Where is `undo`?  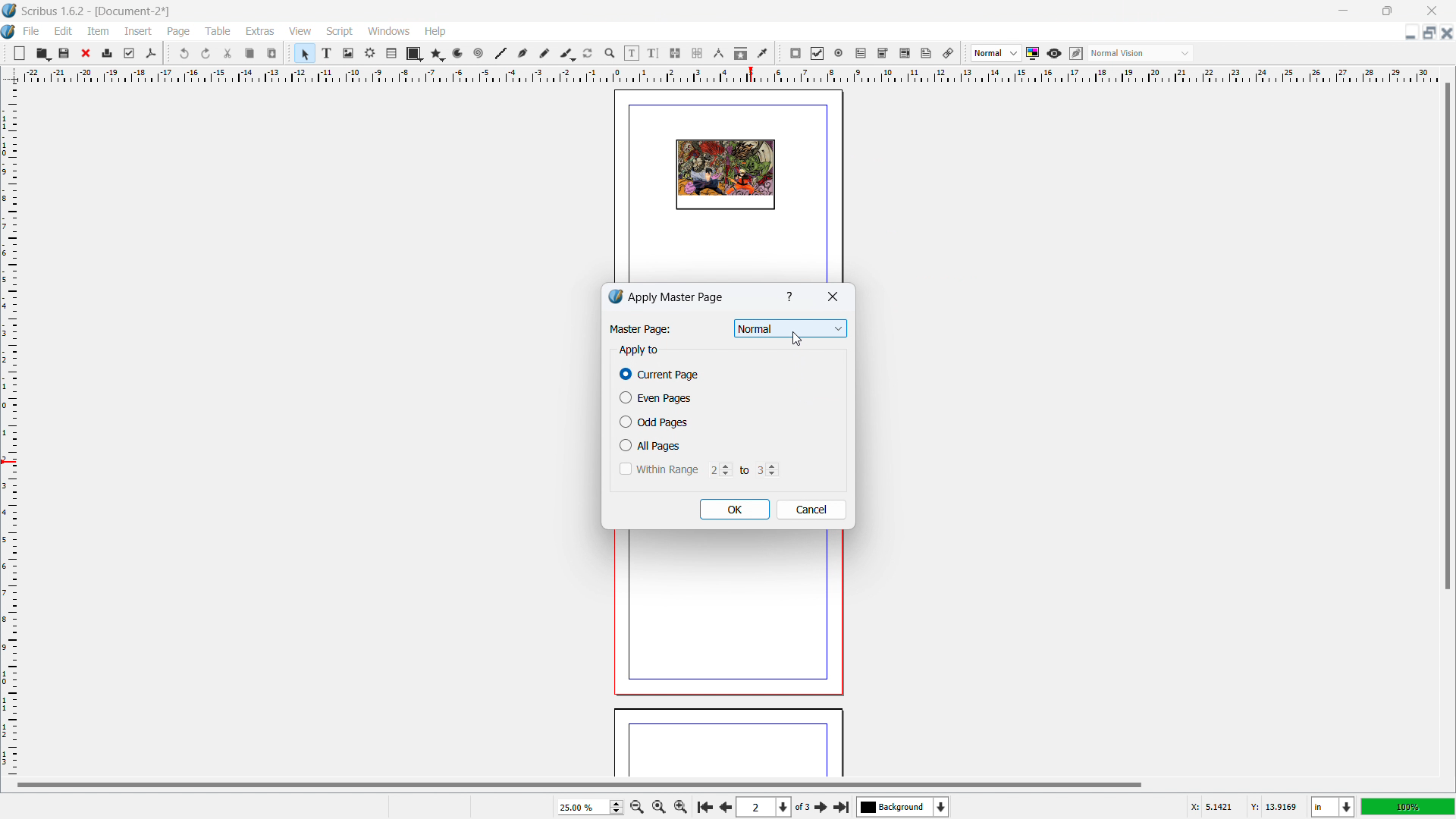 undo is located at coordinates (186, 53).